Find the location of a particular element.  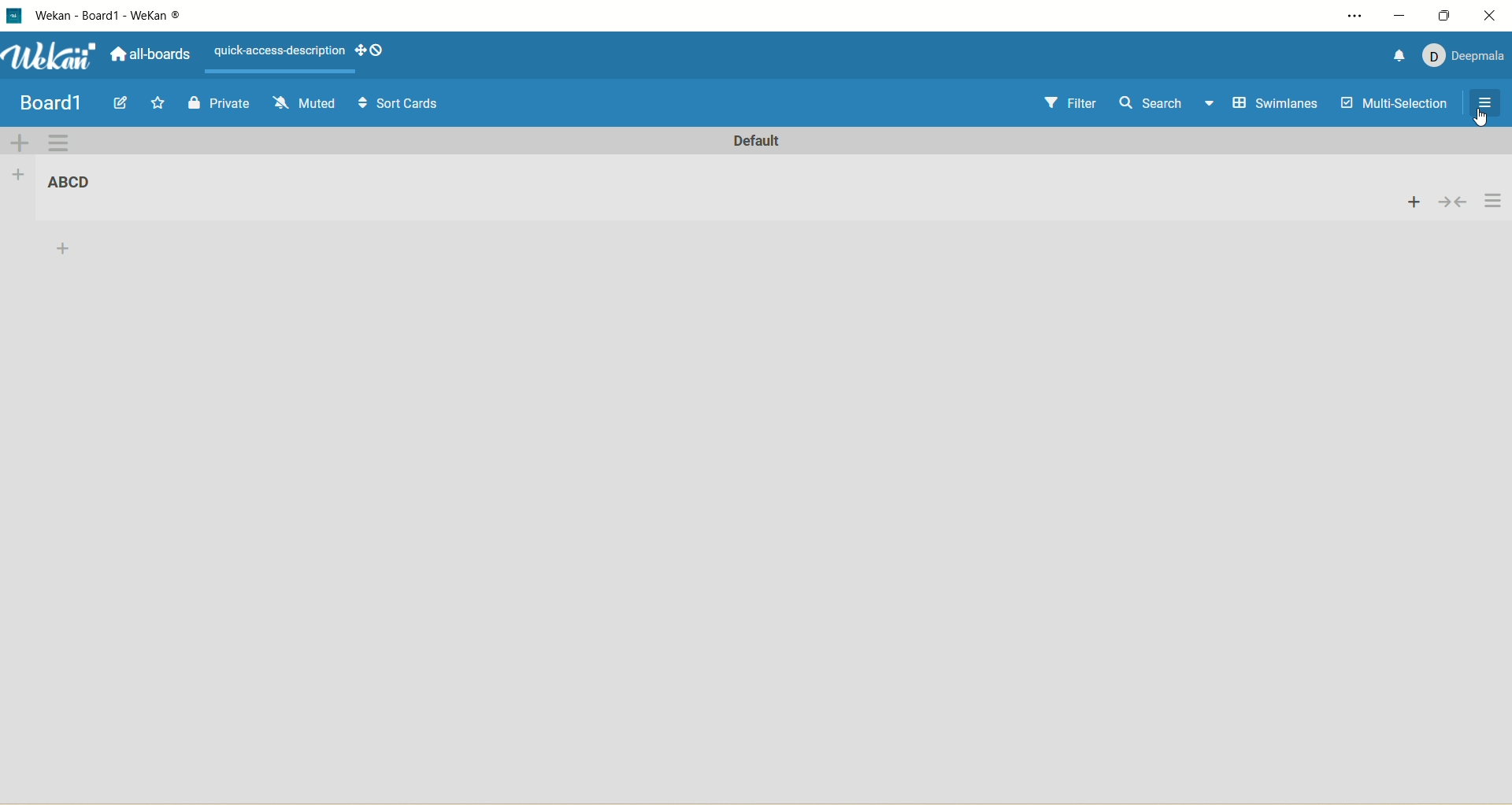

wekan is located at coordinates (52, 55).